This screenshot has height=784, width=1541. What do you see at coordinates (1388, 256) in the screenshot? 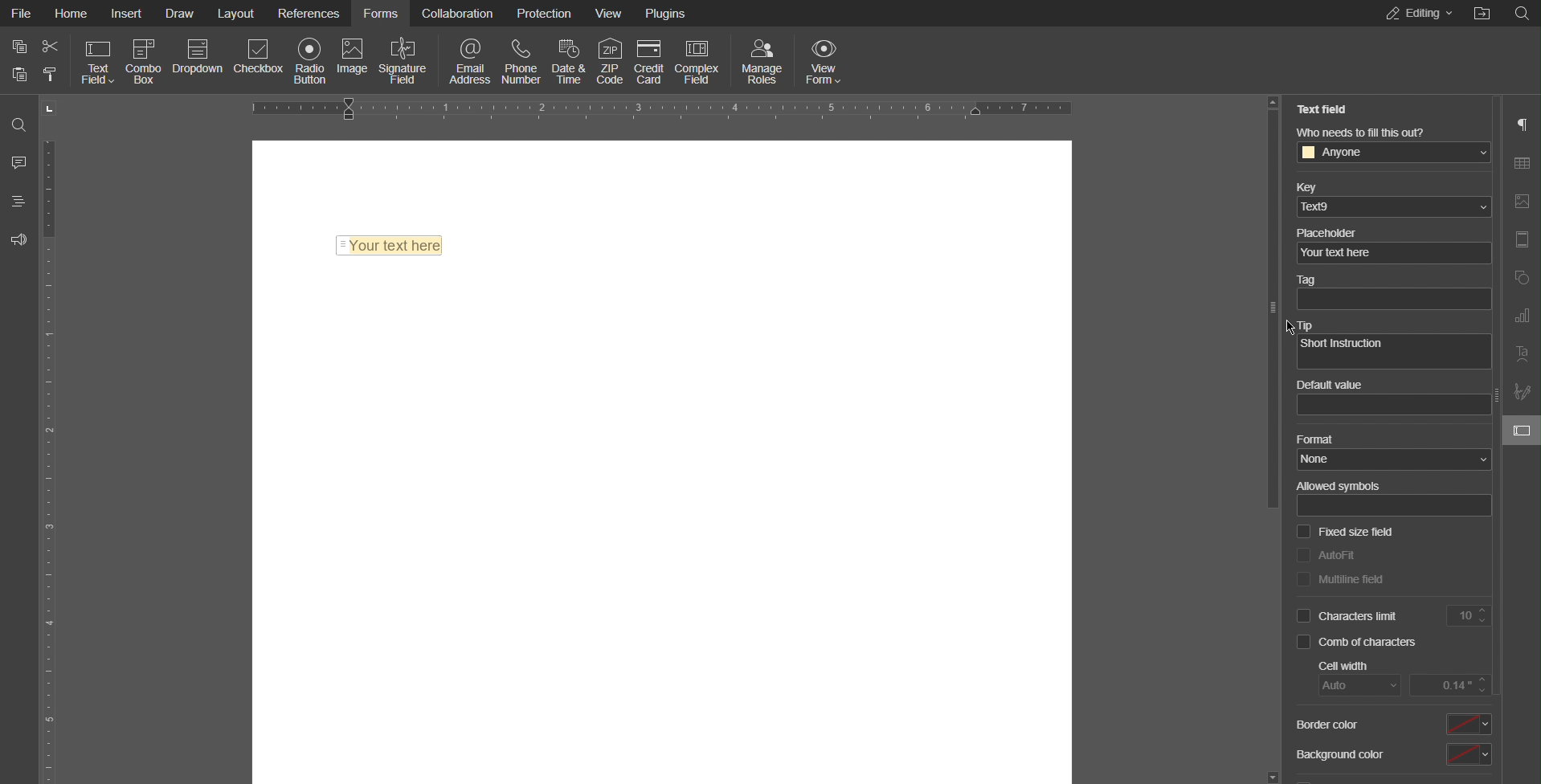
I see `your text here` at bounding box center [1388, 256].